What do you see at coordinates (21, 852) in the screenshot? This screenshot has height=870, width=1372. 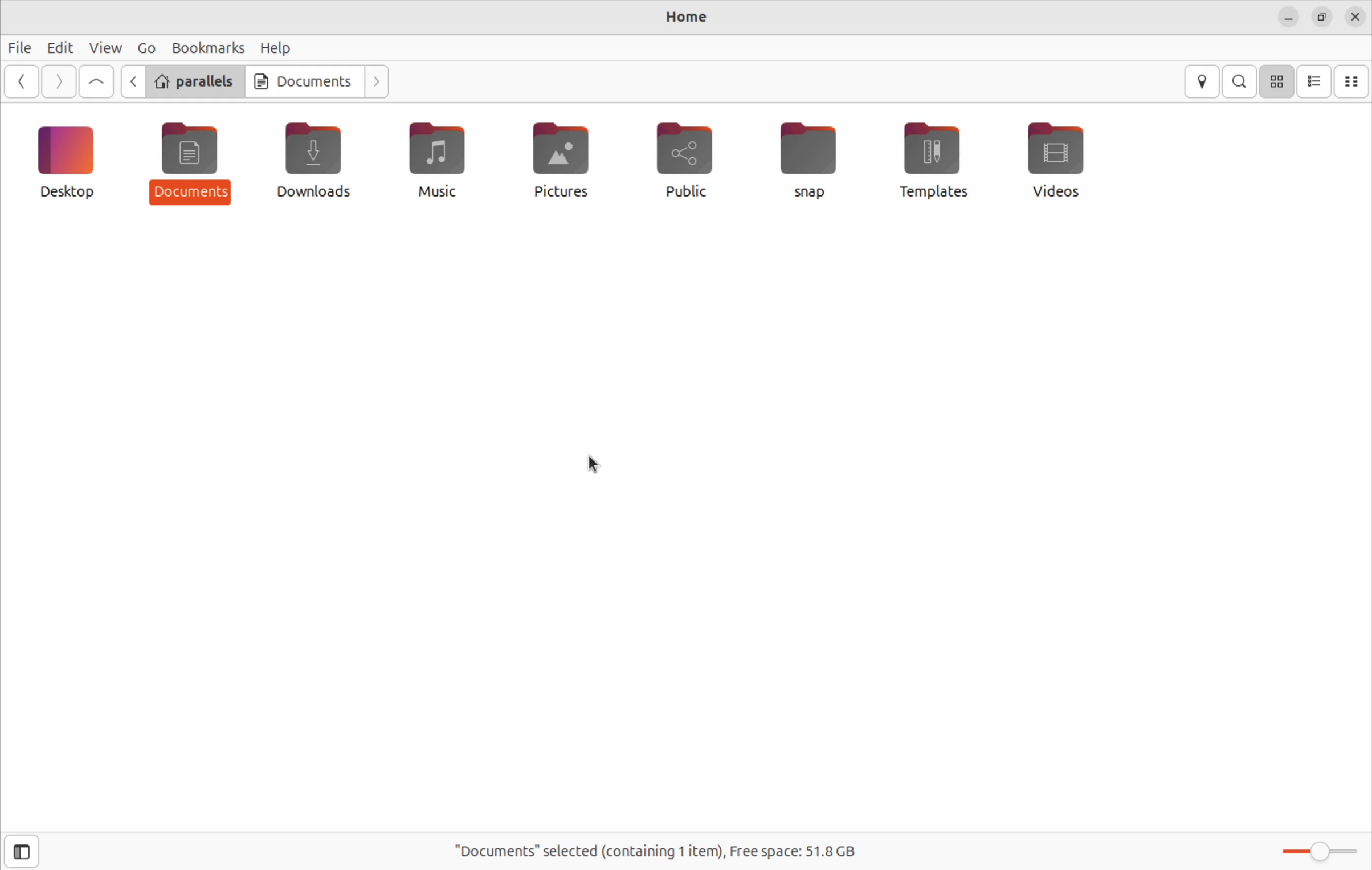 I see `show side bar` at bounding box center [21, 852].